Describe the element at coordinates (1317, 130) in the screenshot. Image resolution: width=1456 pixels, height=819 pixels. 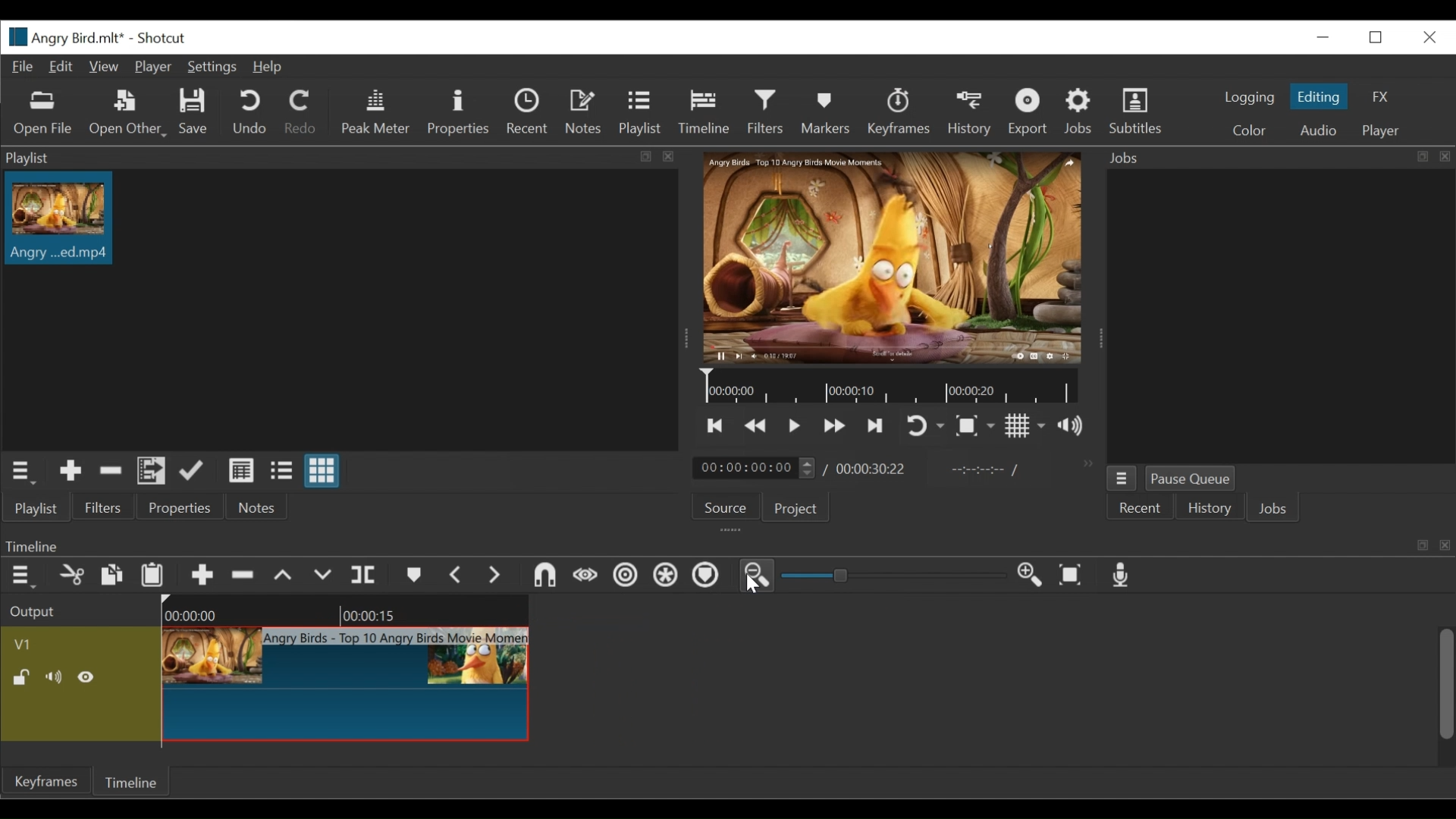
I see `Audio` at that location.